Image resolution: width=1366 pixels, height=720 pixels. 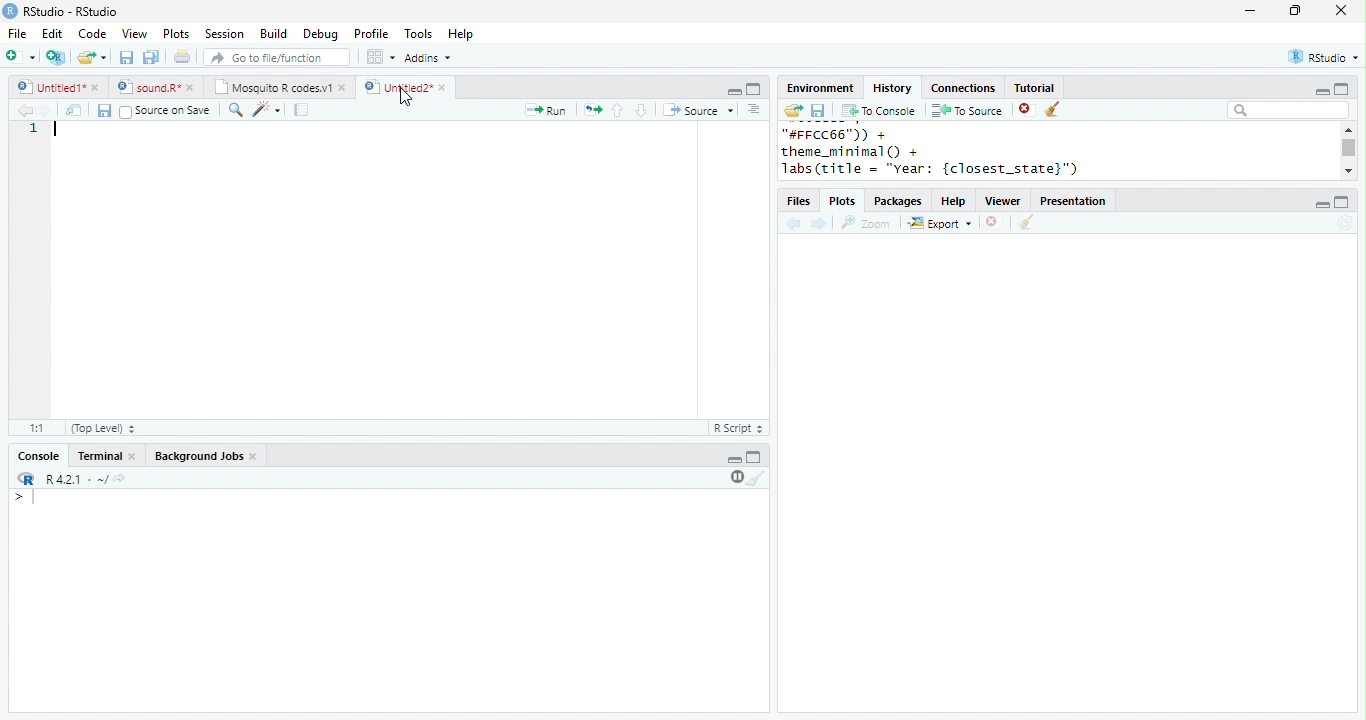 What do you see at coordinates (1288, 110) in the screenshot?
I see `search bar` at bounding box center [1288, 110].